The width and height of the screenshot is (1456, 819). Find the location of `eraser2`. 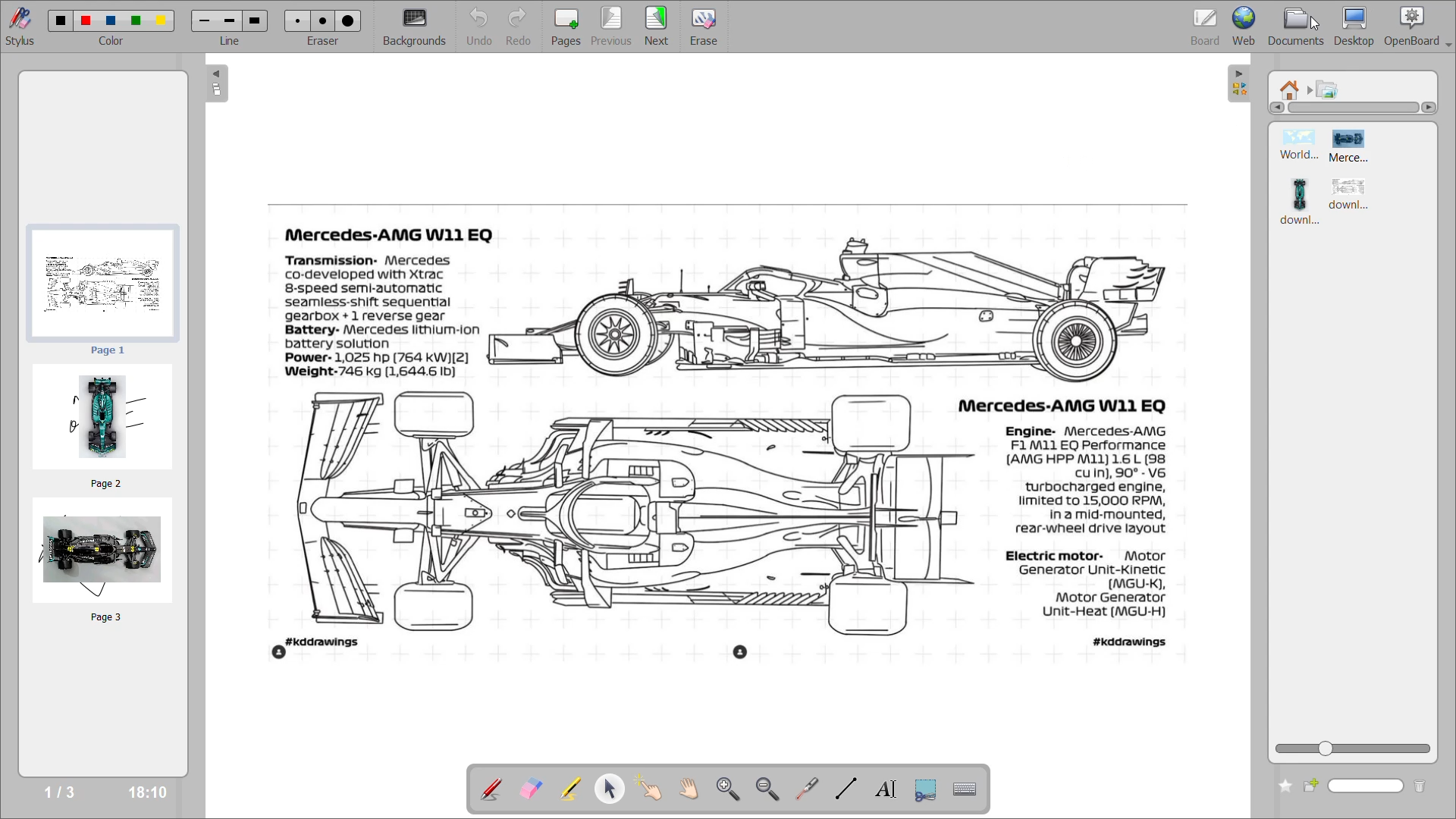

eraser2 is located at coordinates (322, 20).